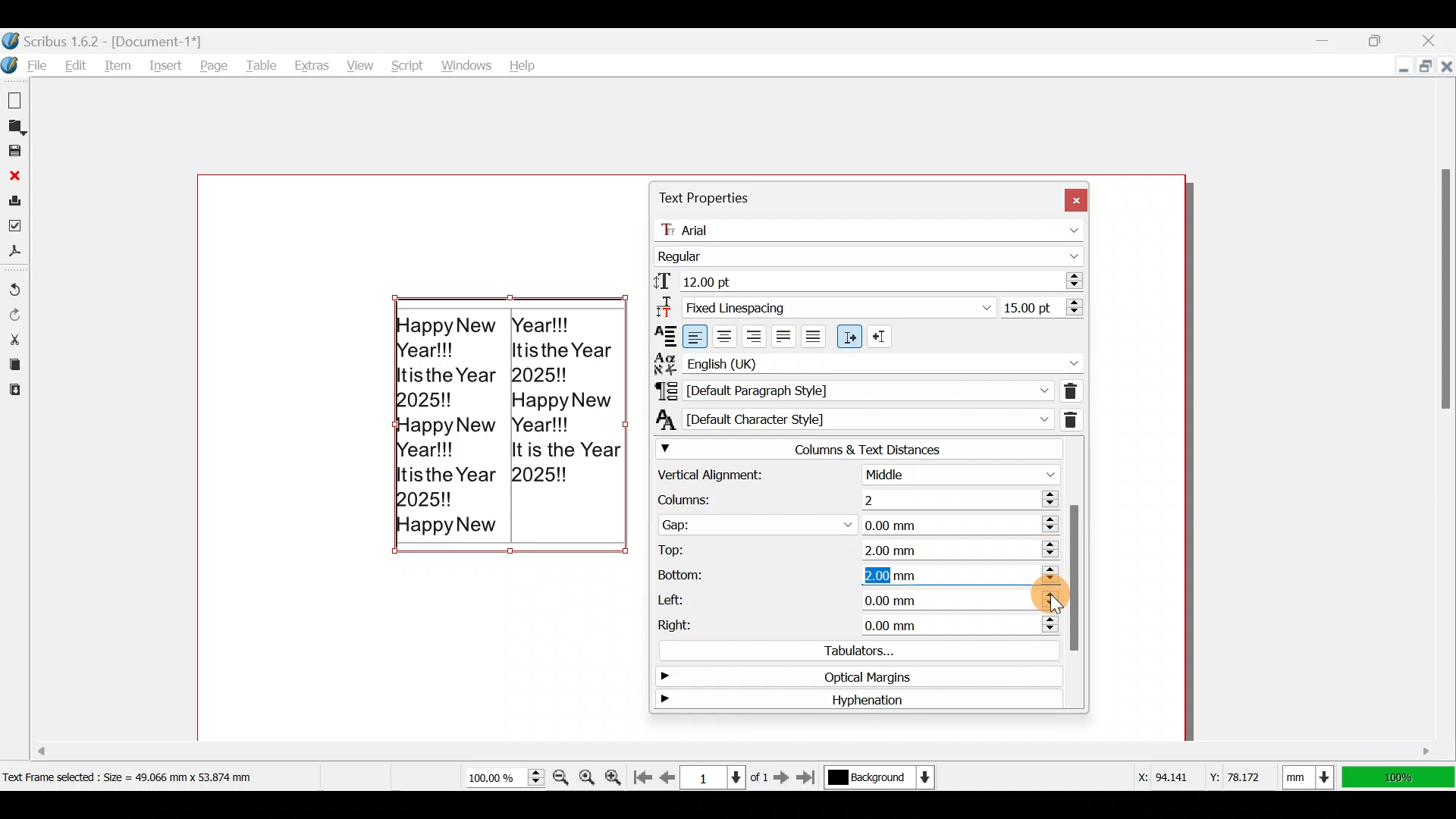 This screenshot has height=819, width=1456. Describe the element at coordinates (1075, 573) in the screenshot. I see `Scroll bar` at that location.